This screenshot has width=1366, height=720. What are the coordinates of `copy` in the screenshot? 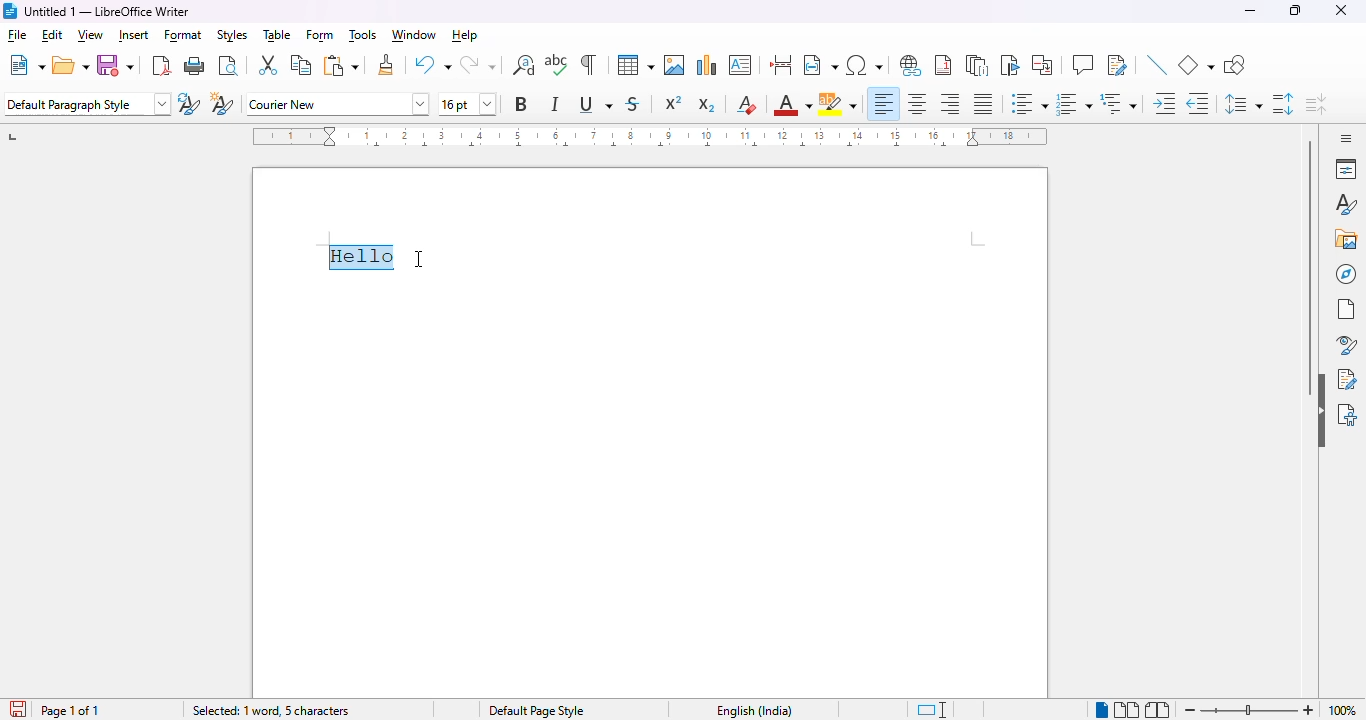 It's located at (300, 64).